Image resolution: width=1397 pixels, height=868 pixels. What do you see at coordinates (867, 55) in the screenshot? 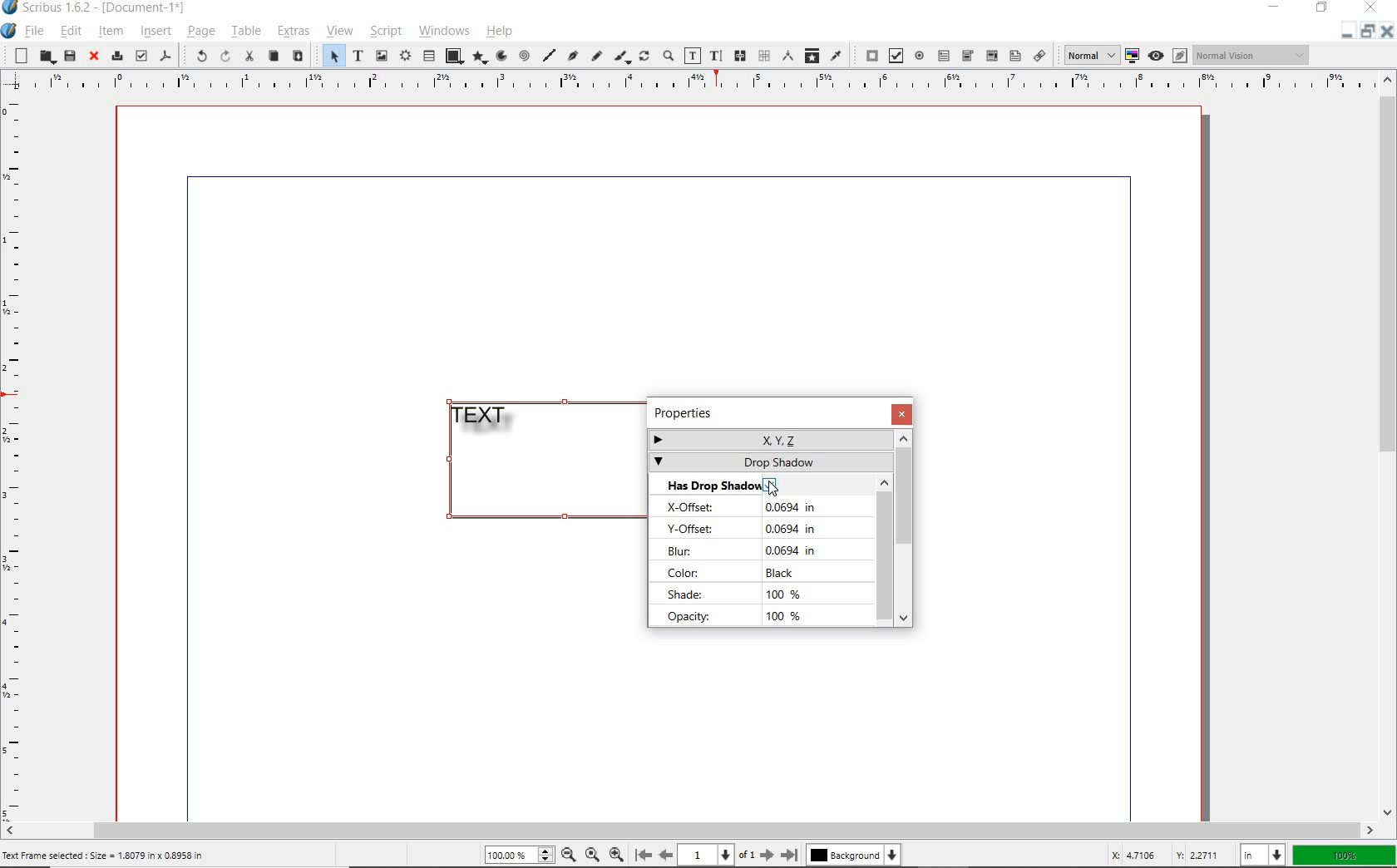
I see `pdf push button` at bounding box center [867, 55].